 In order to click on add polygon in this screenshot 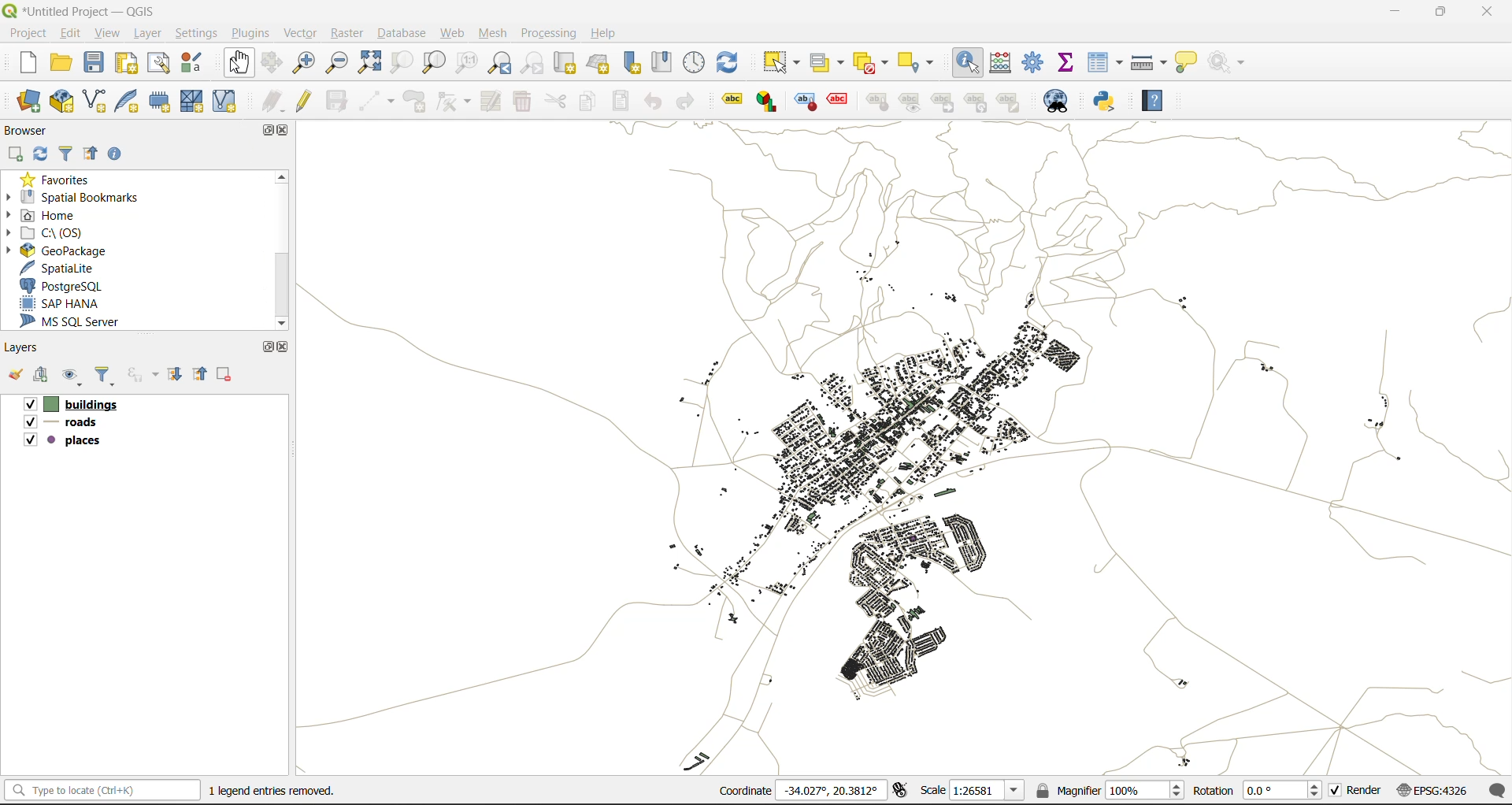, I will do `click(413, 102)`.